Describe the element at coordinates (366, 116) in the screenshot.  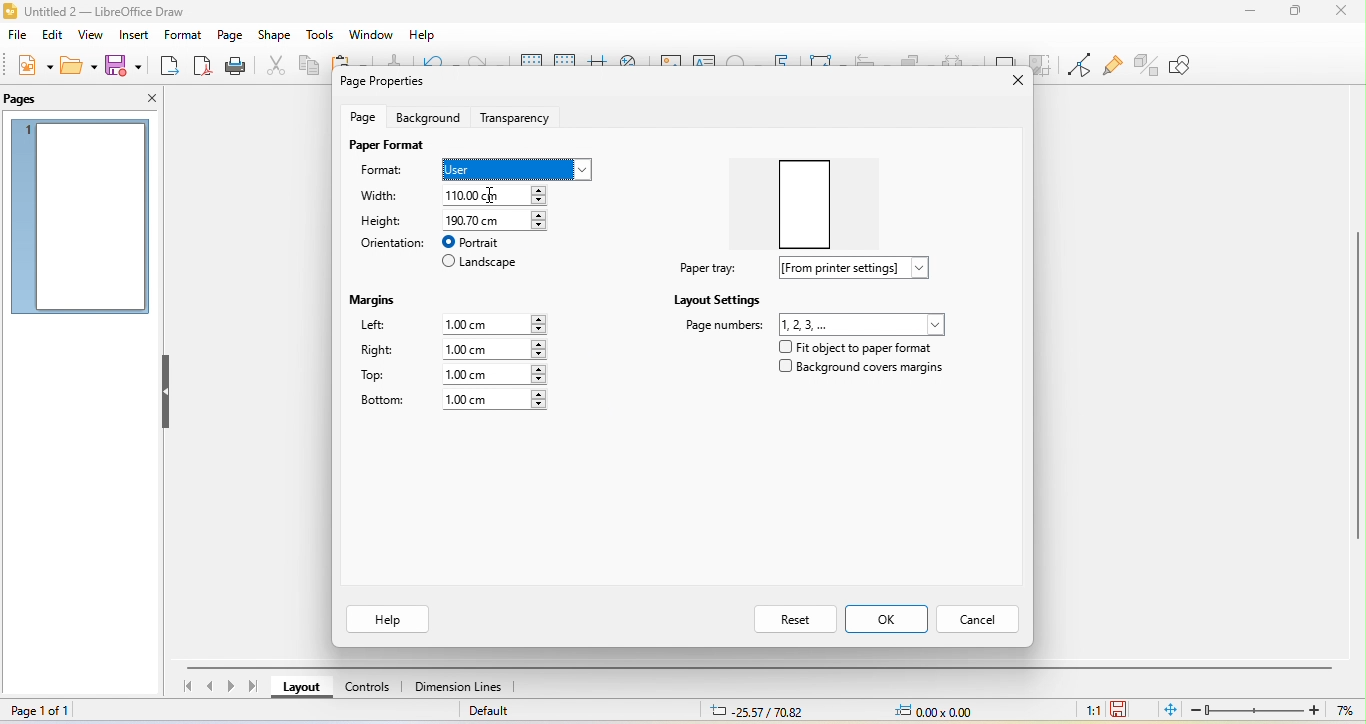
I see `page` at that location.